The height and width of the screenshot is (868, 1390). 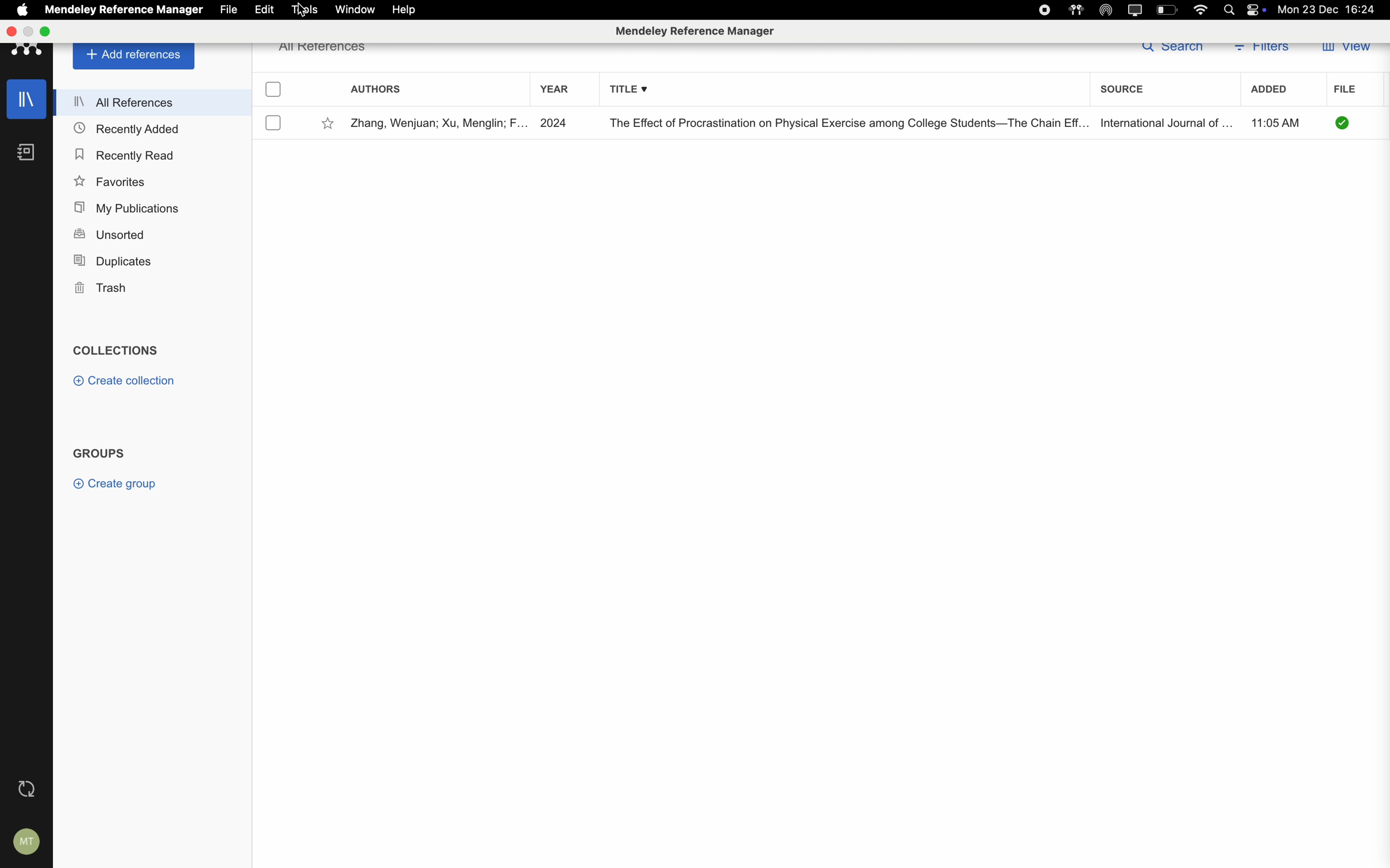 I want to click on edit, so click(x=265, y=9).